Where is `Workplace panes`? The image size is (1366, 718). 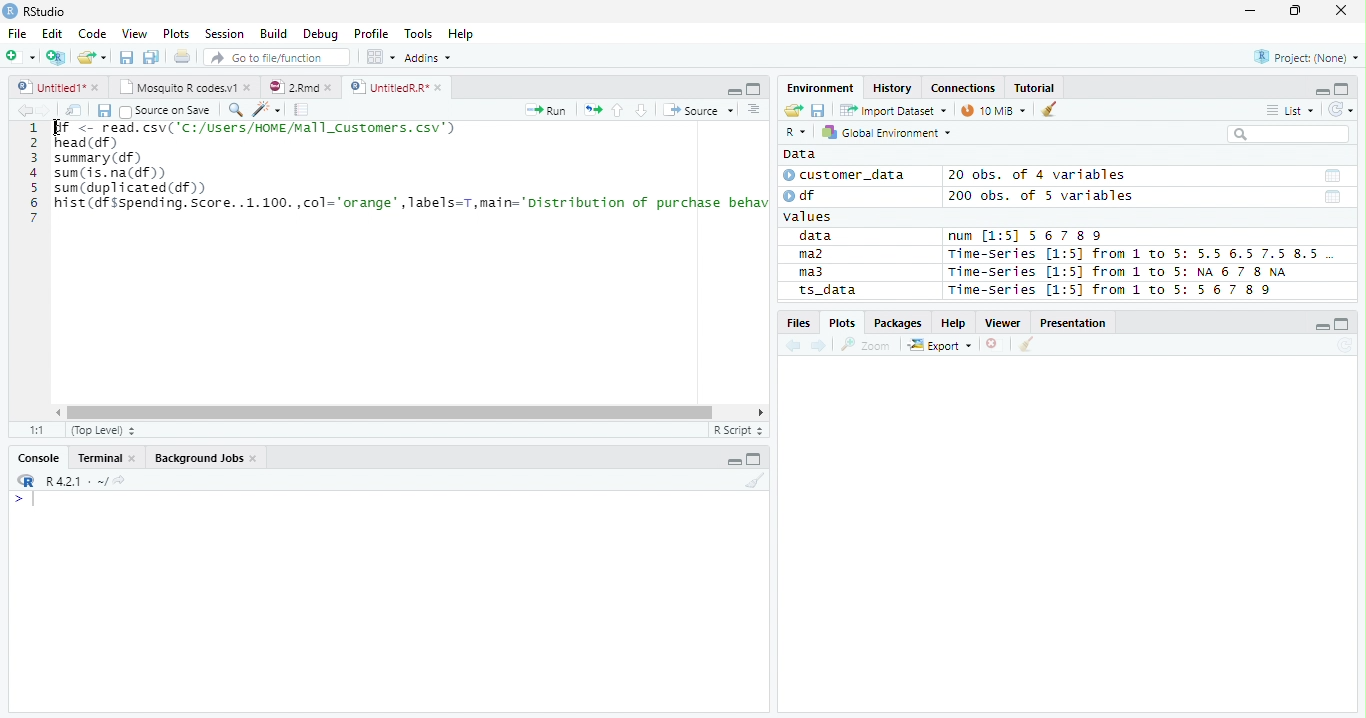 Workplace panes is located at coordinates (380, 57).